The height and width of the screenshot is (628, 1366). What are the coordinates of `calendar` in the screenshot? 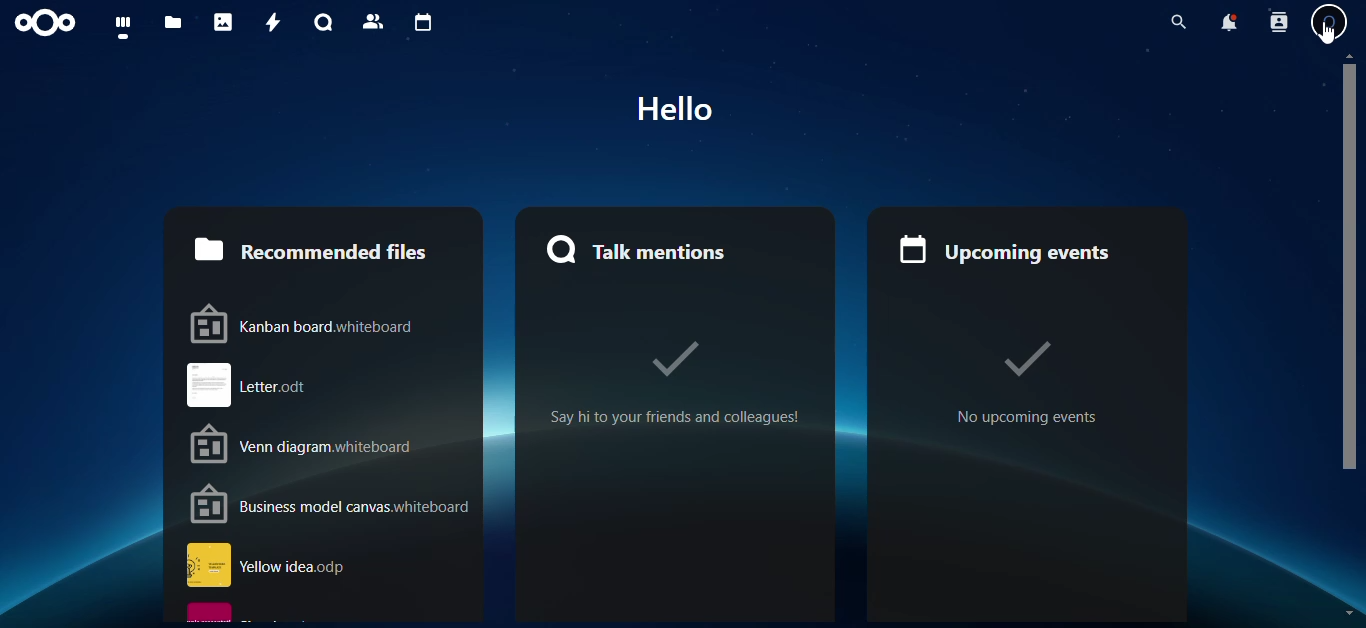 It's located at (419, 22).